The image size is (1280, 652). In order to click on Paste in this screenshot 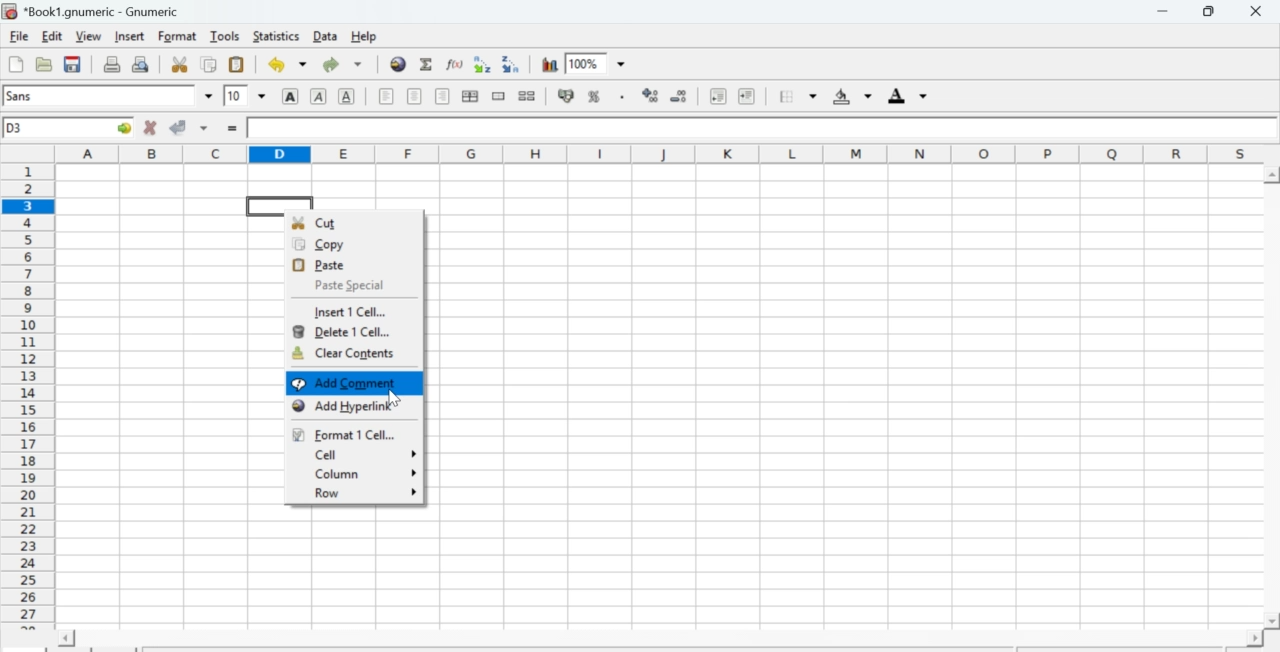, I will do `click(237, 66)`.